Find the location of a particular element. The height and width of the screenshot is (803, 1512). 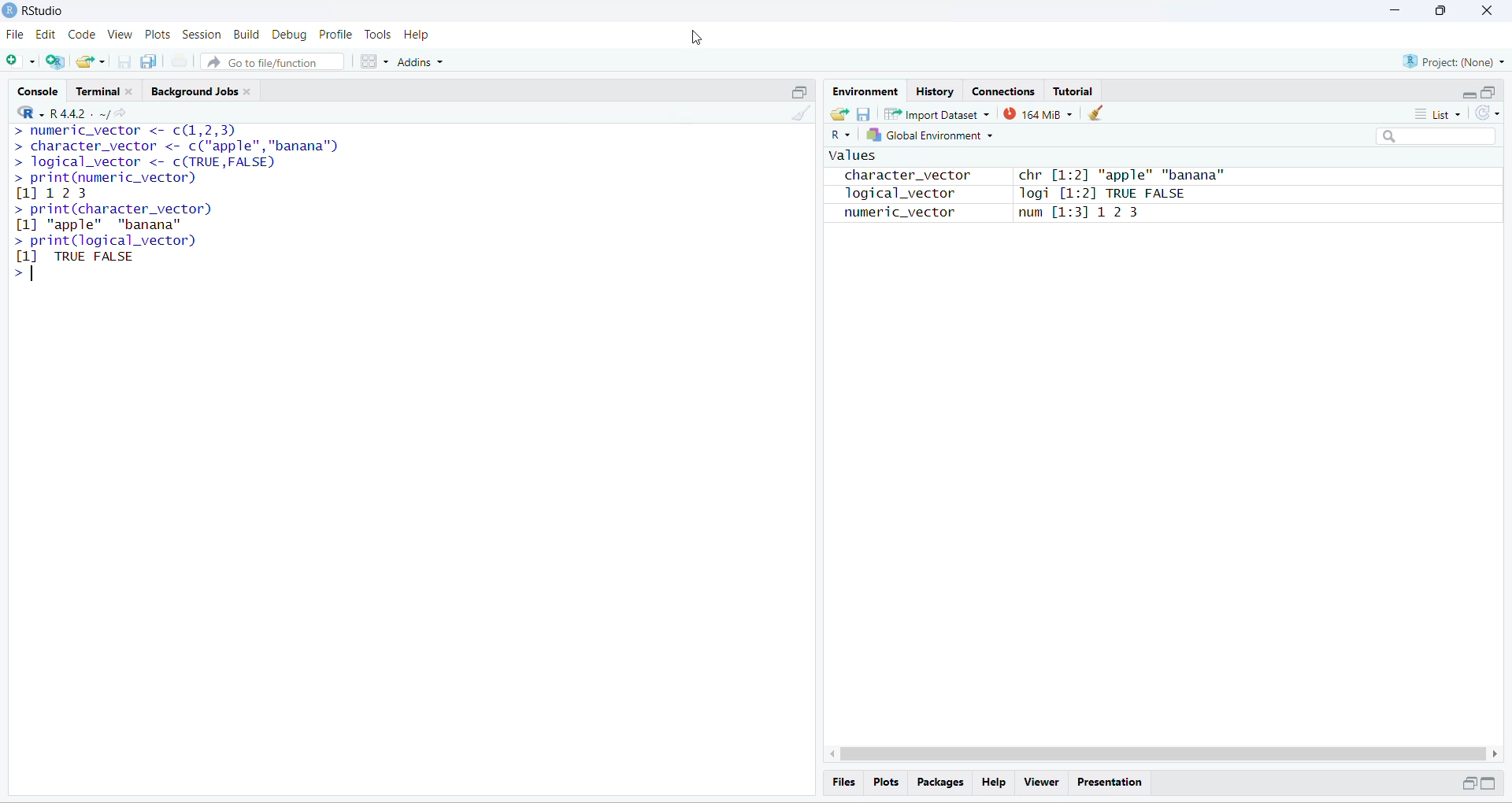

Connections is located at coordinates (1002, 90).